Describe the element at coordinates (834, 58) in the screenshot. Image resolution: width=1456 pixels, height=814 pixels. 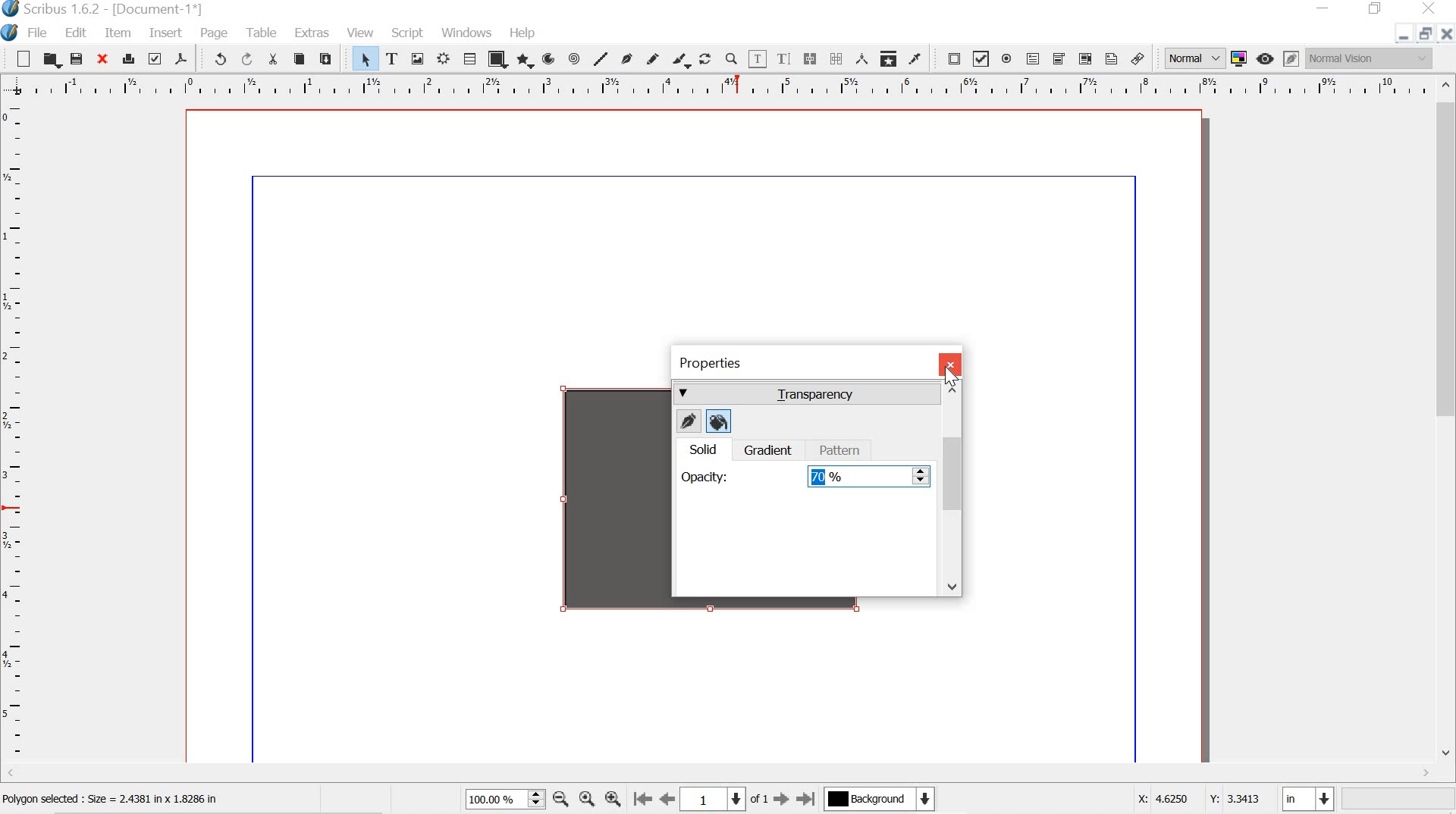
I see `unlink text frames` at that location.